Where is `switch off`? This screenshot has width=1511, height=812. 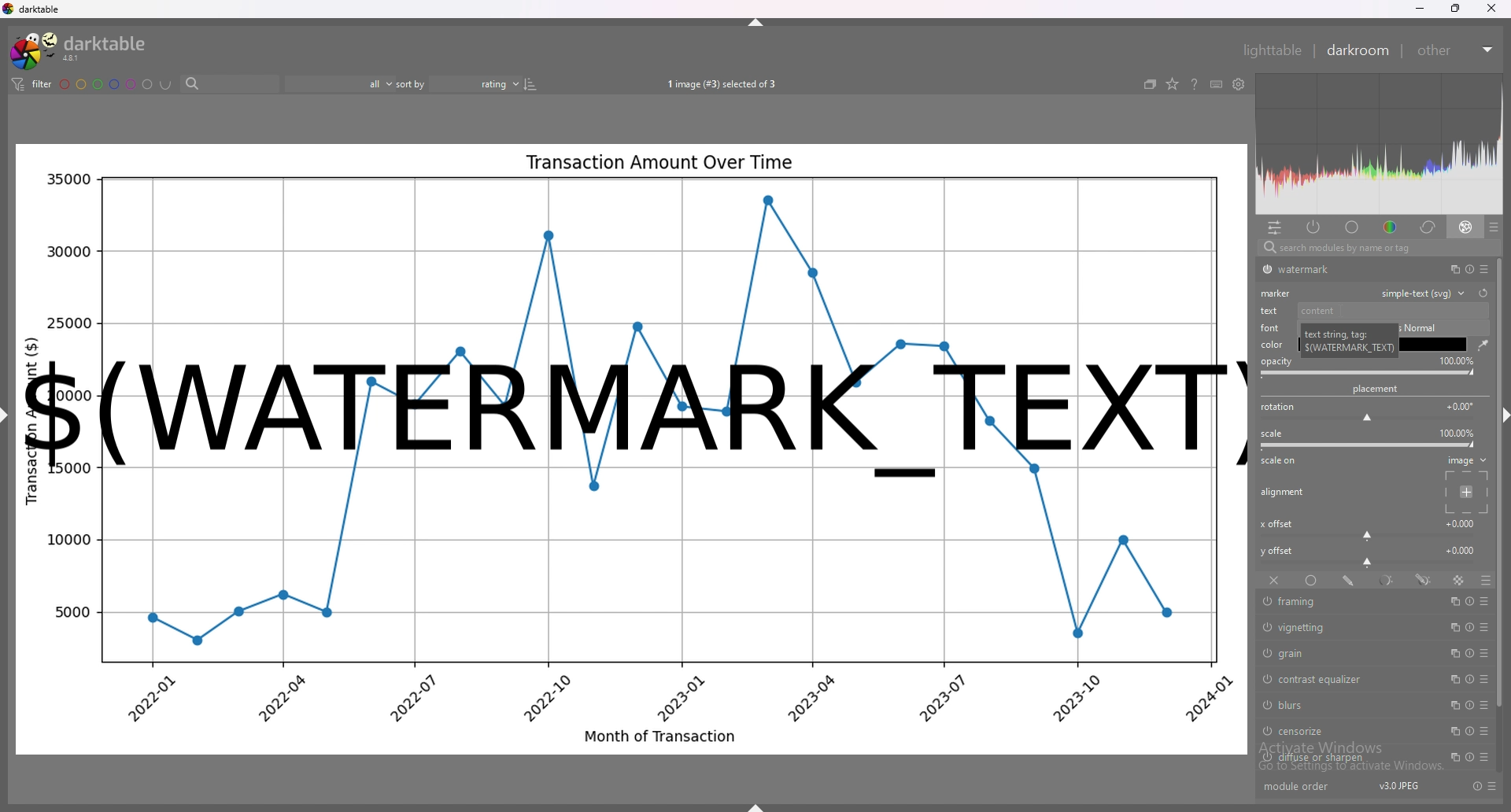 switch off is located at coordinates (1265, 733).